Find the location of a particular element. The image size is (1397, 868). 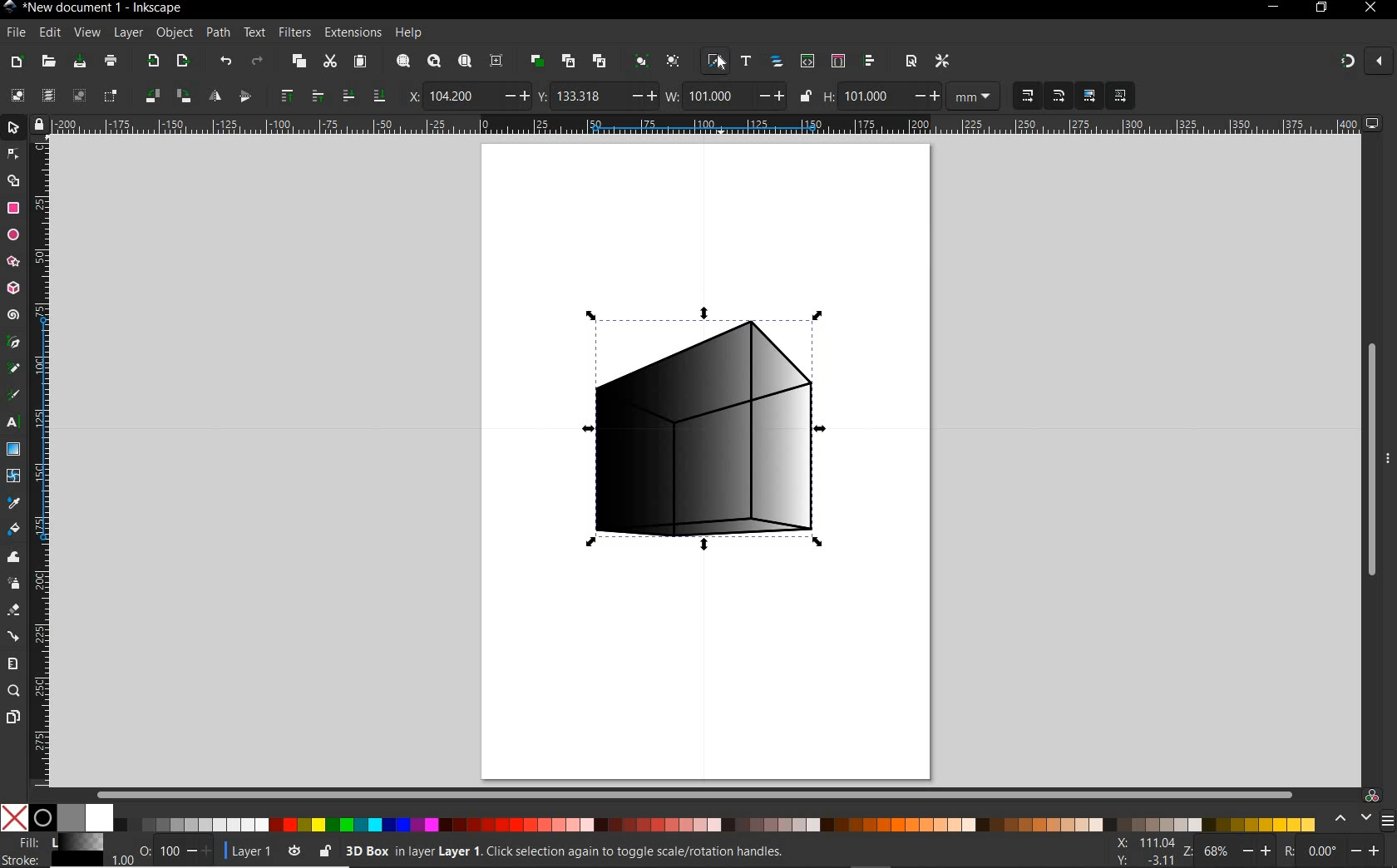

PAINT BUCKET TOOL is located at coordinates (14, 530).